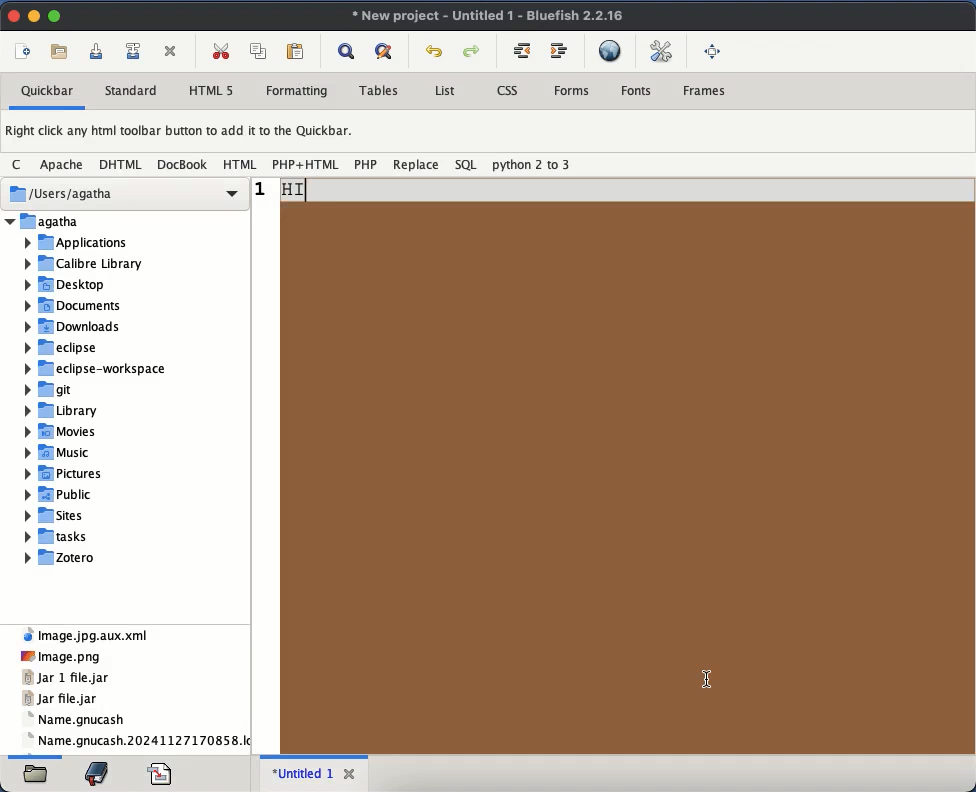  I want to click on replace, so click(417, 165).